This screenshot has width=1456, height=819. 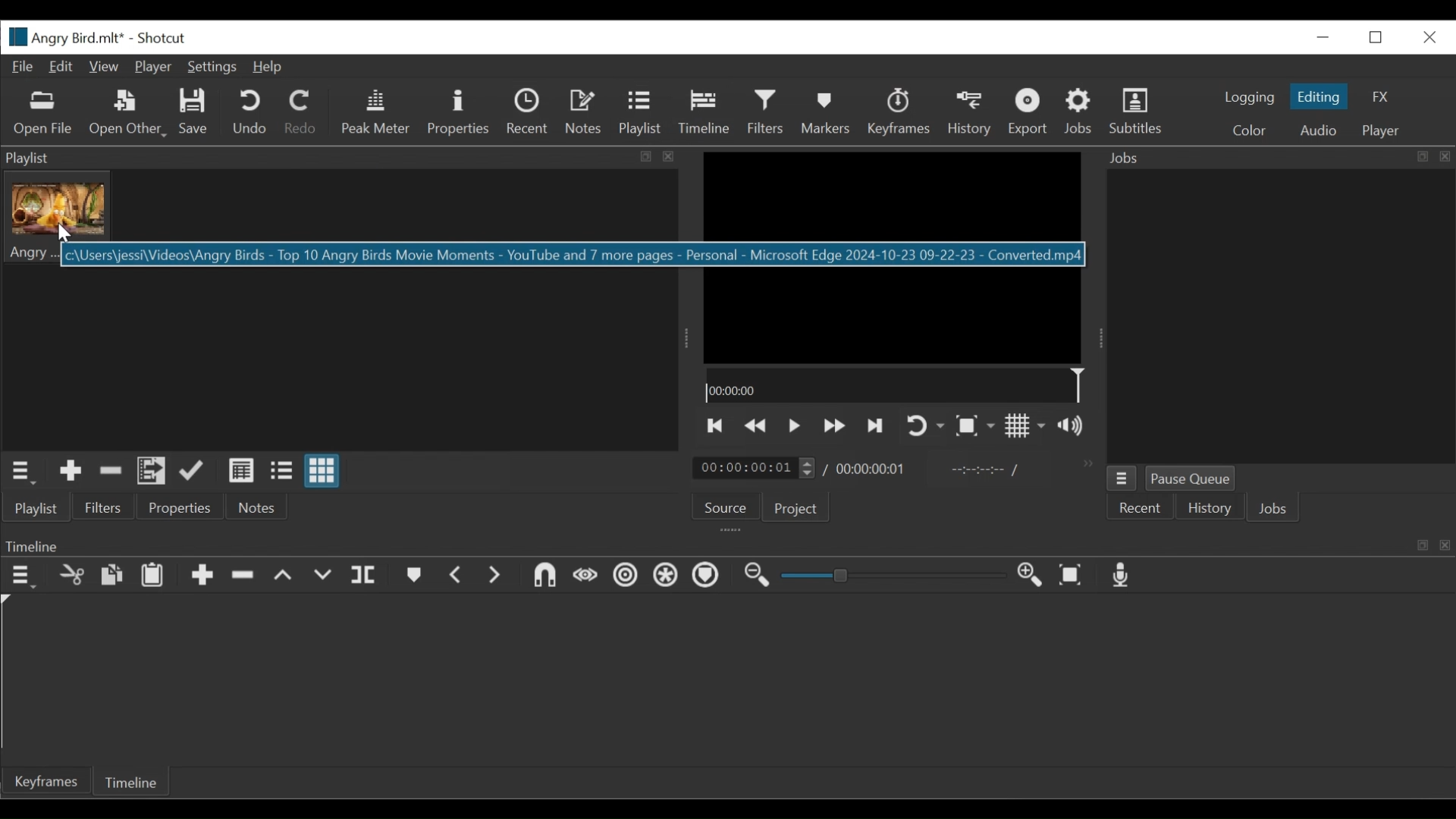 I want to click on Jobs, so click(x=1276, y=508).